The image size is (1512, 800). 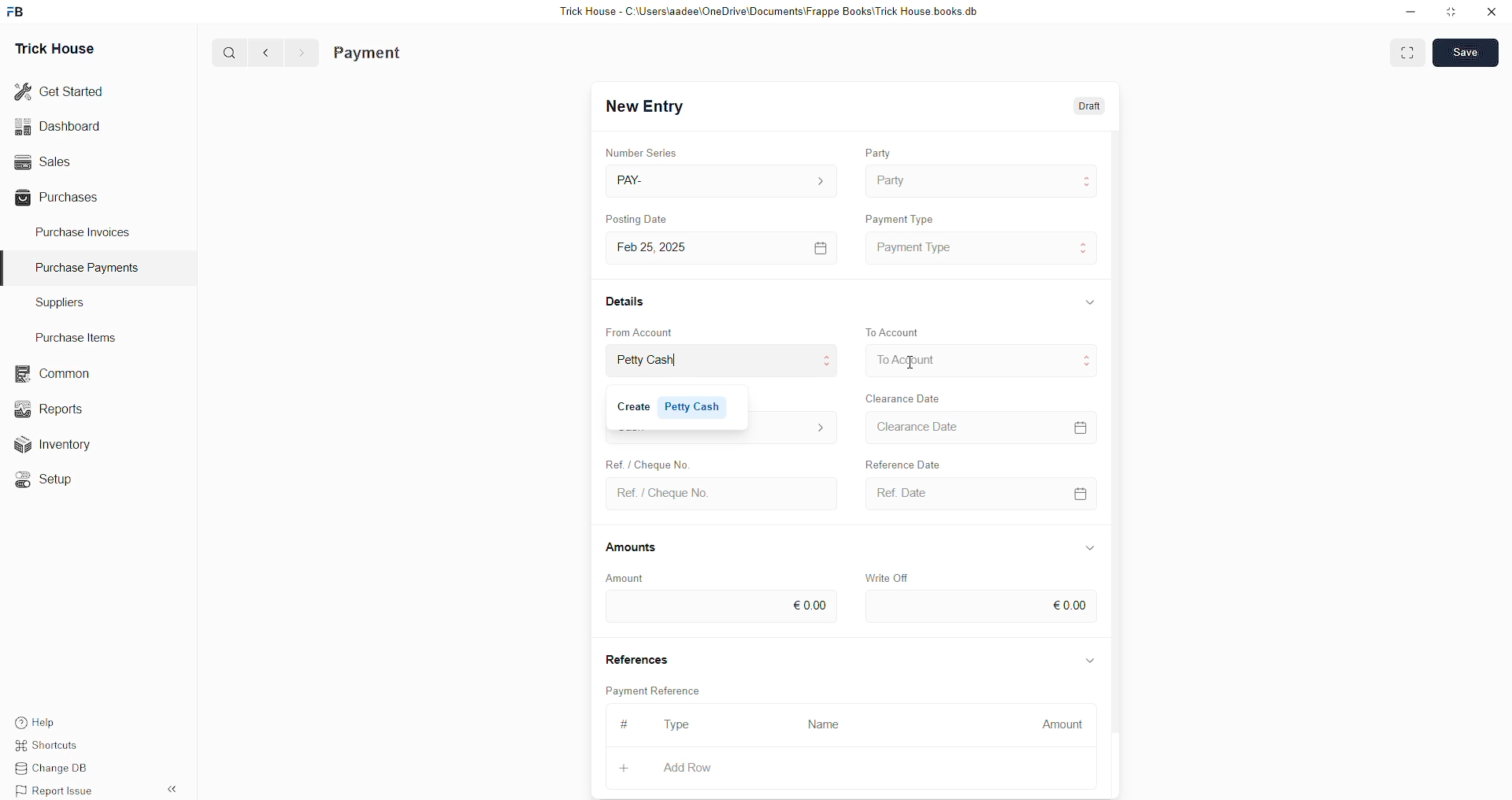 I want to click on EXPAND, so click(x=1410, y=51).